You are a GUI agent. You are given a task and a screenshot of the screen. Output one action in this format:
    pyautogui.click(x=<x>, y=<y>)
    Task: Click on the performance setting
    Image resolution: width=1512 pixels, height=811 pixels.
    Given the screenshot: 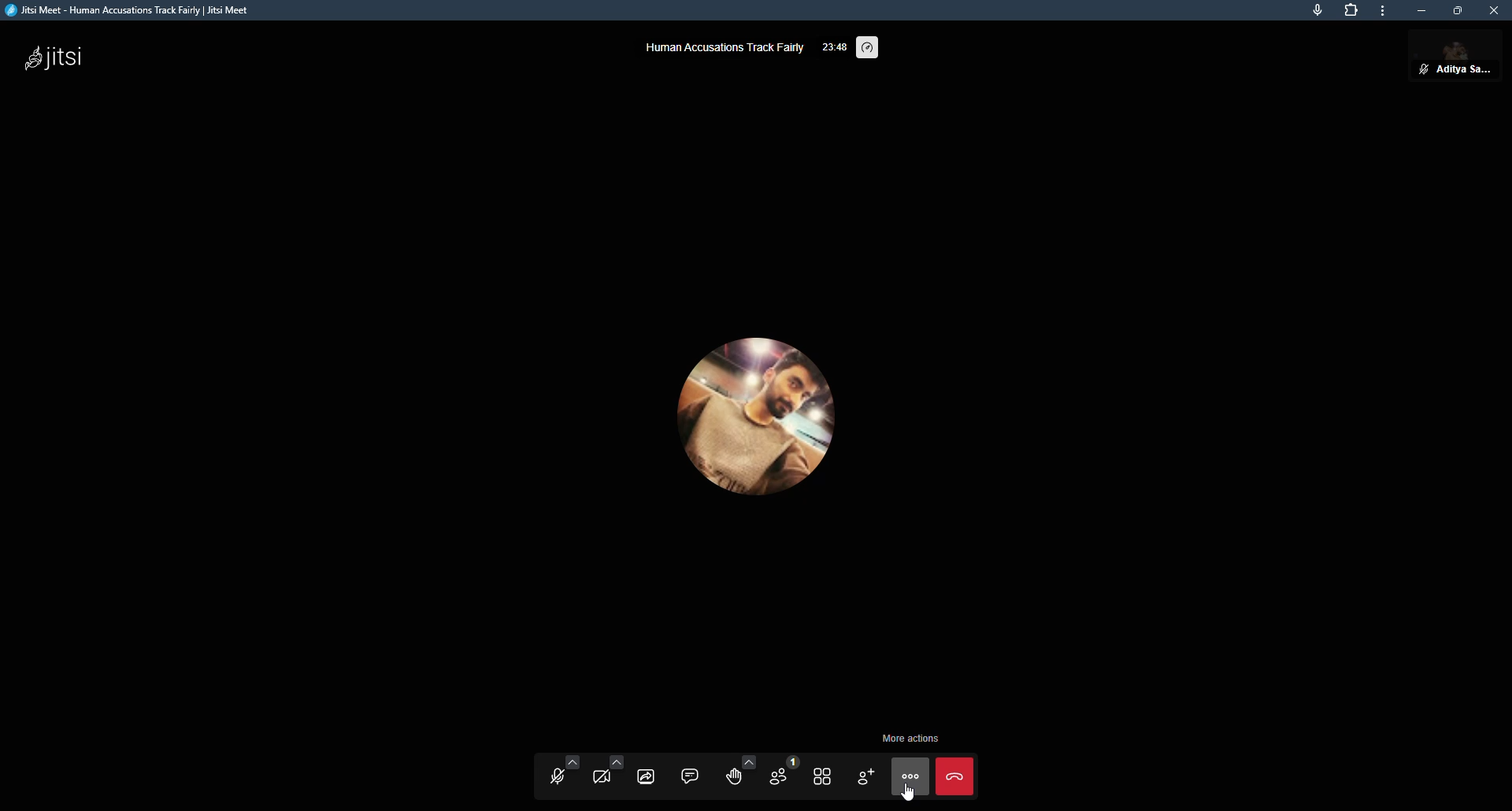 What is the action you would take?
    pyautogui.click(x=871, y=49)
    